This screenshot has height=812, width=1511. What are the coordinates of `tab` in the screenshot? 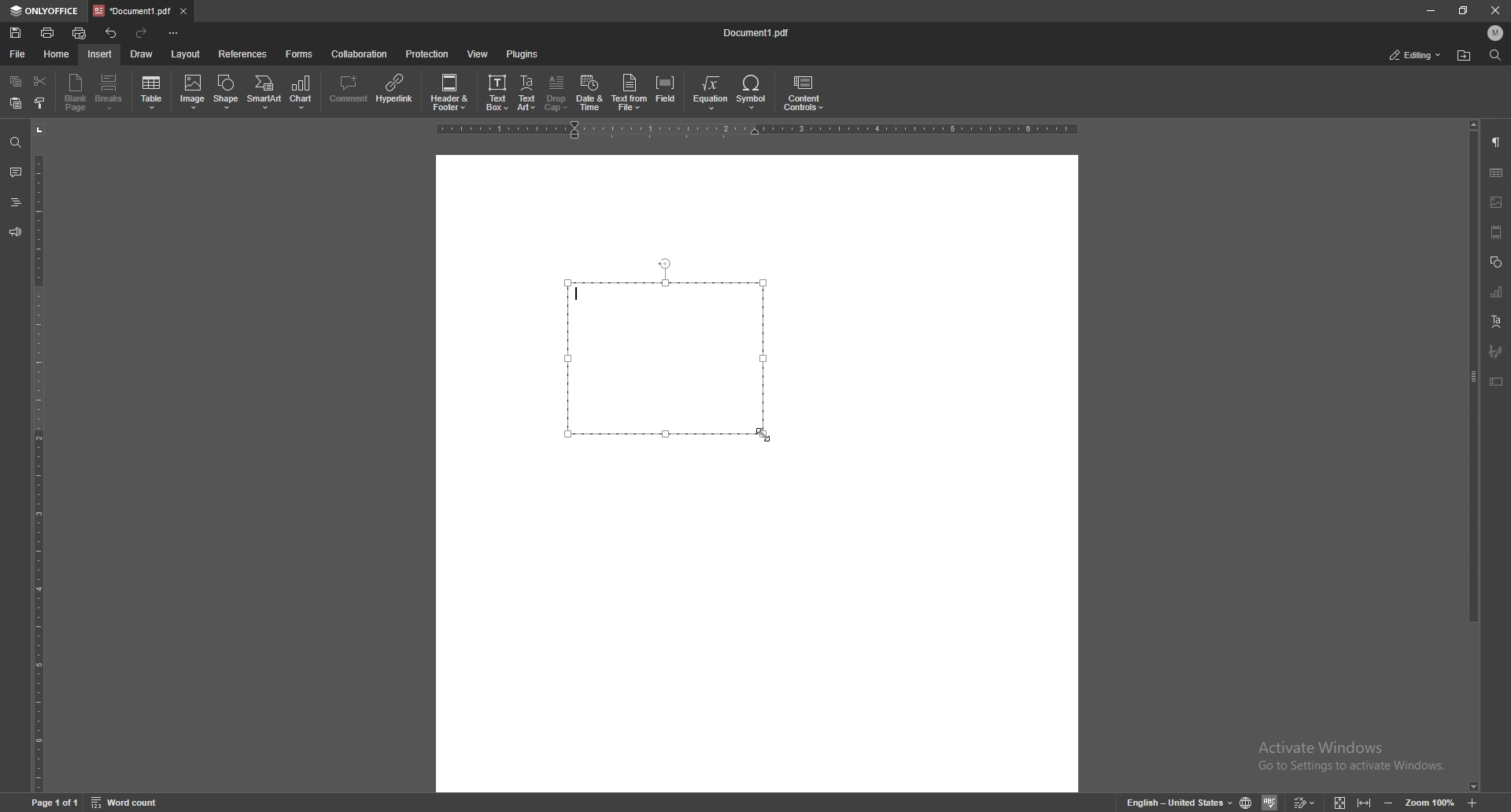 It's located at (131, 11).